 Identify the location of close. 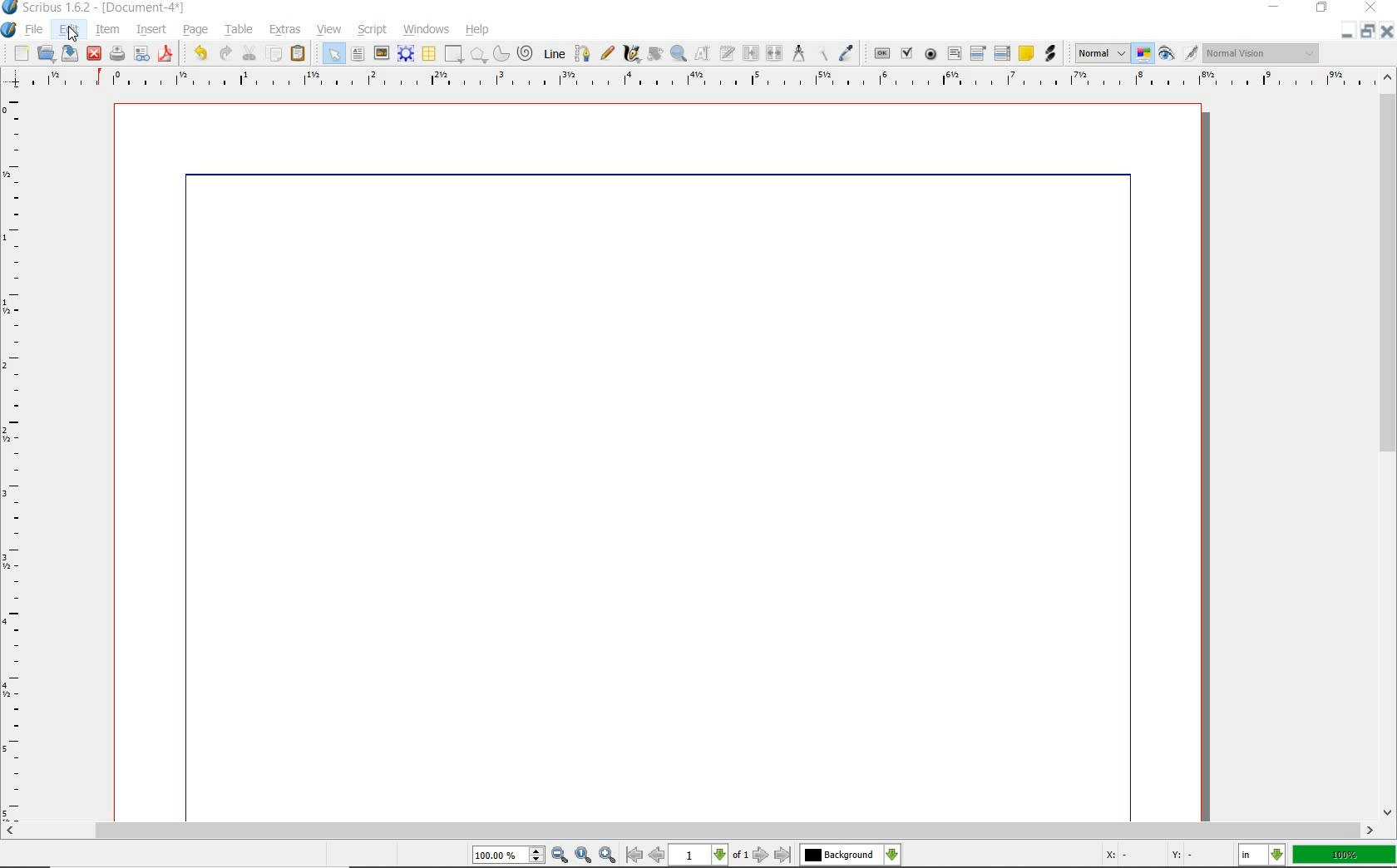
(1389, 31).